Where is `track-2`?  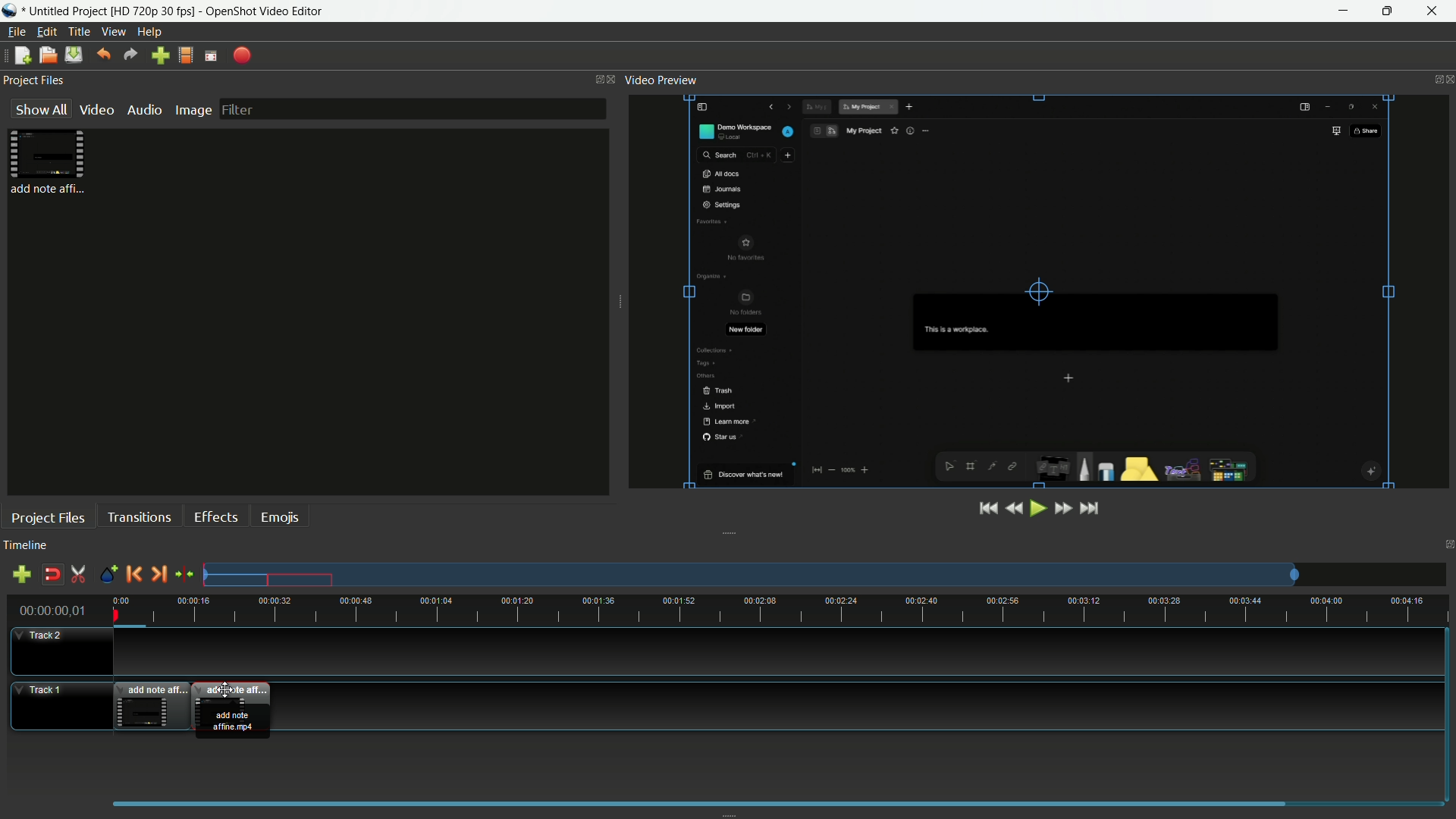 track-2 is located at coordinates (58, 650).